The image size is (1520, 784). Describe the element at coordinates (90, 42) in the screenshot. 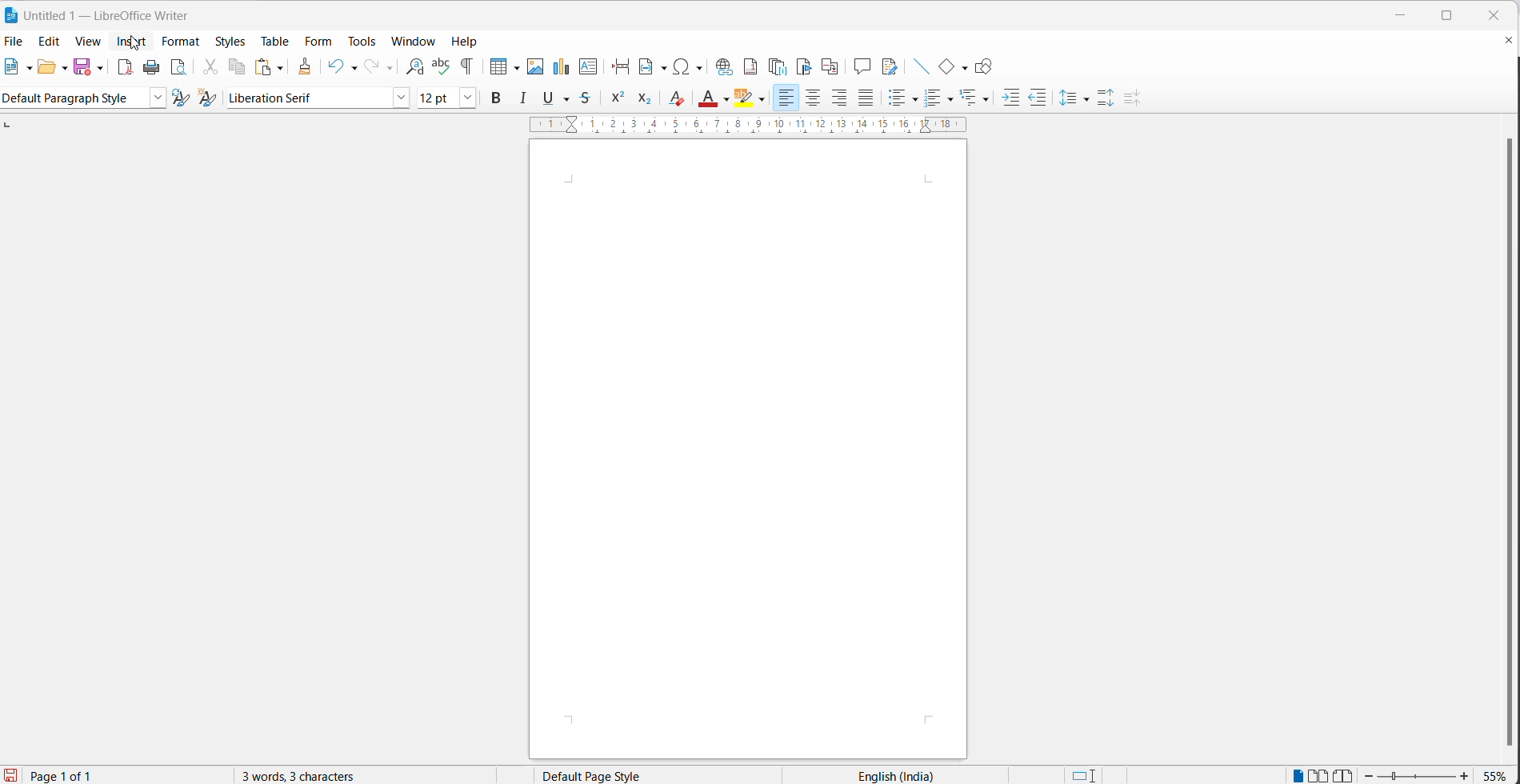

I see `view ` at that location.